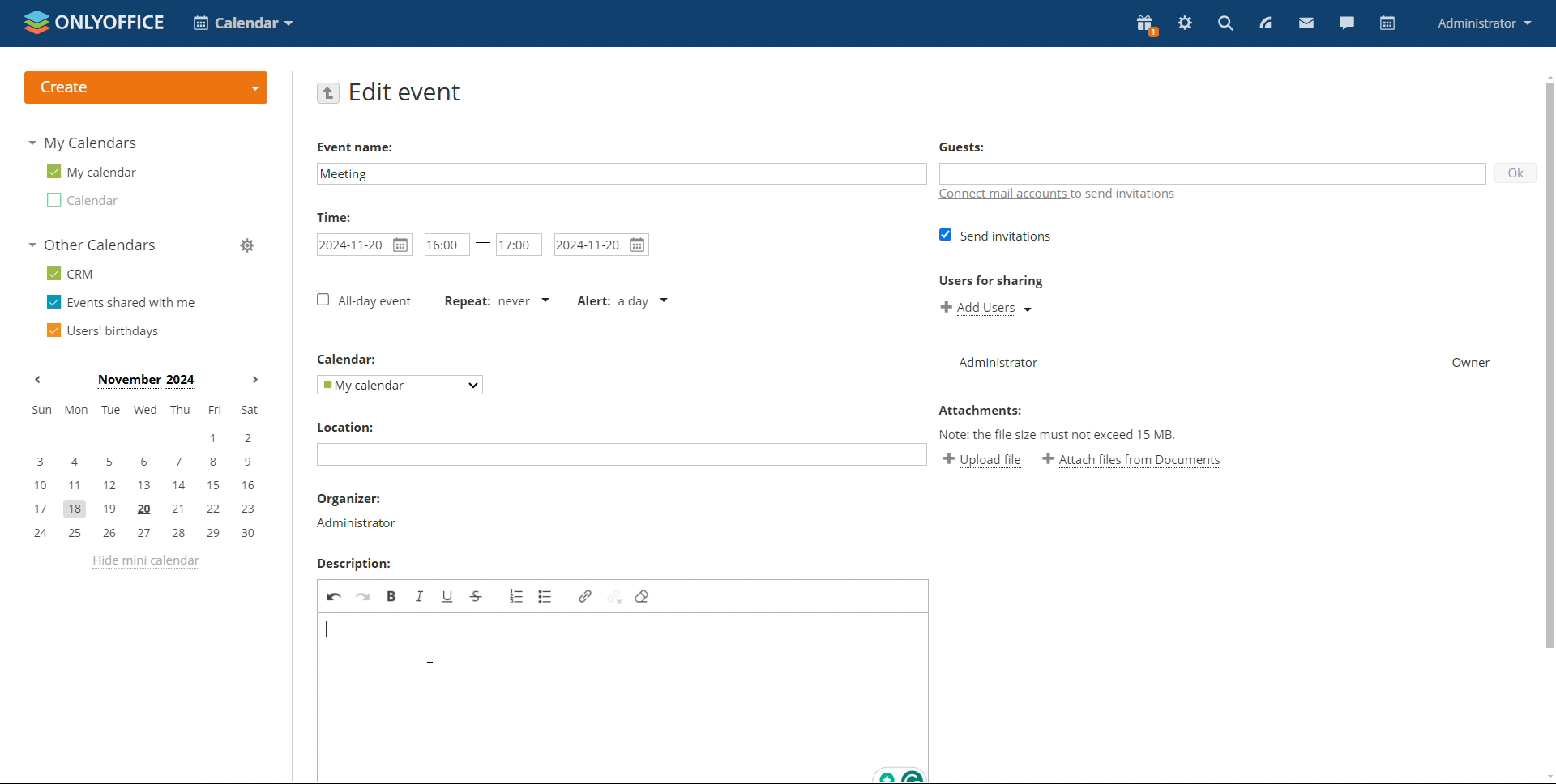  I want to click on go back, so click(328, 93).